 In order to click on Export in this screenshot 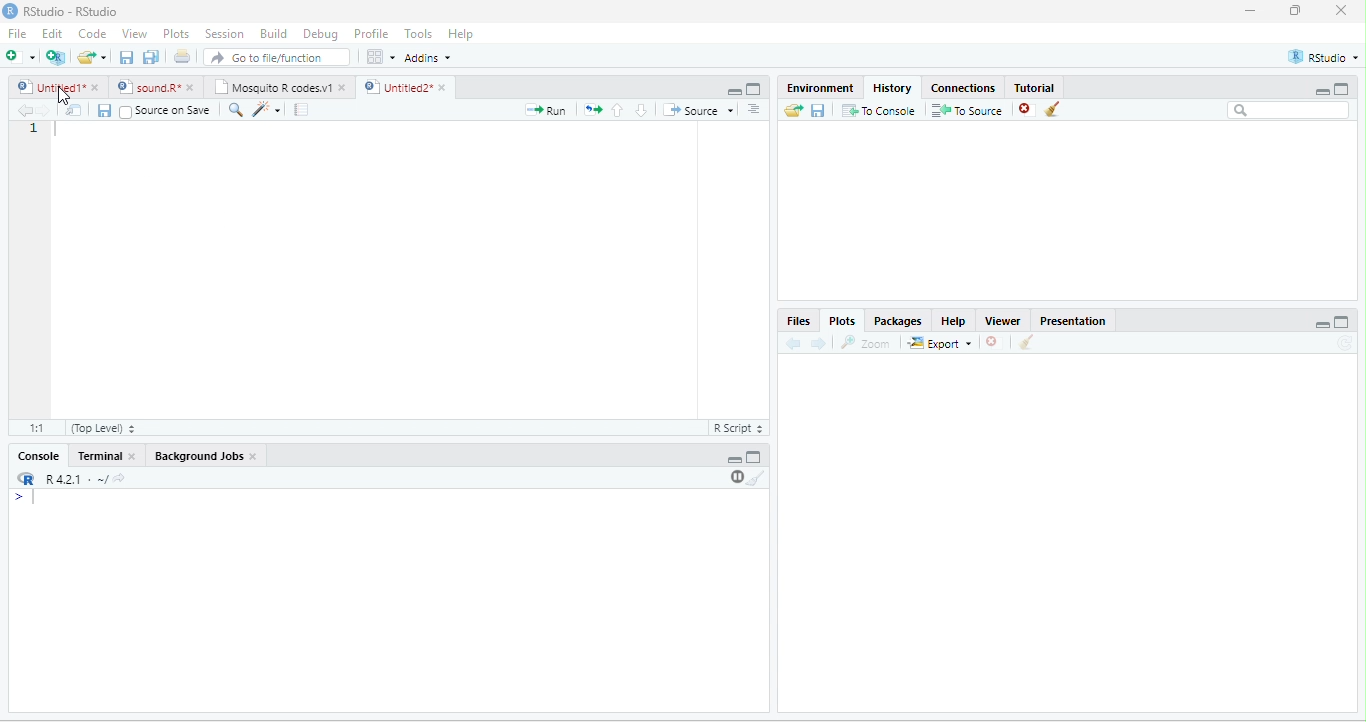, I will do `click(940, 344)`.